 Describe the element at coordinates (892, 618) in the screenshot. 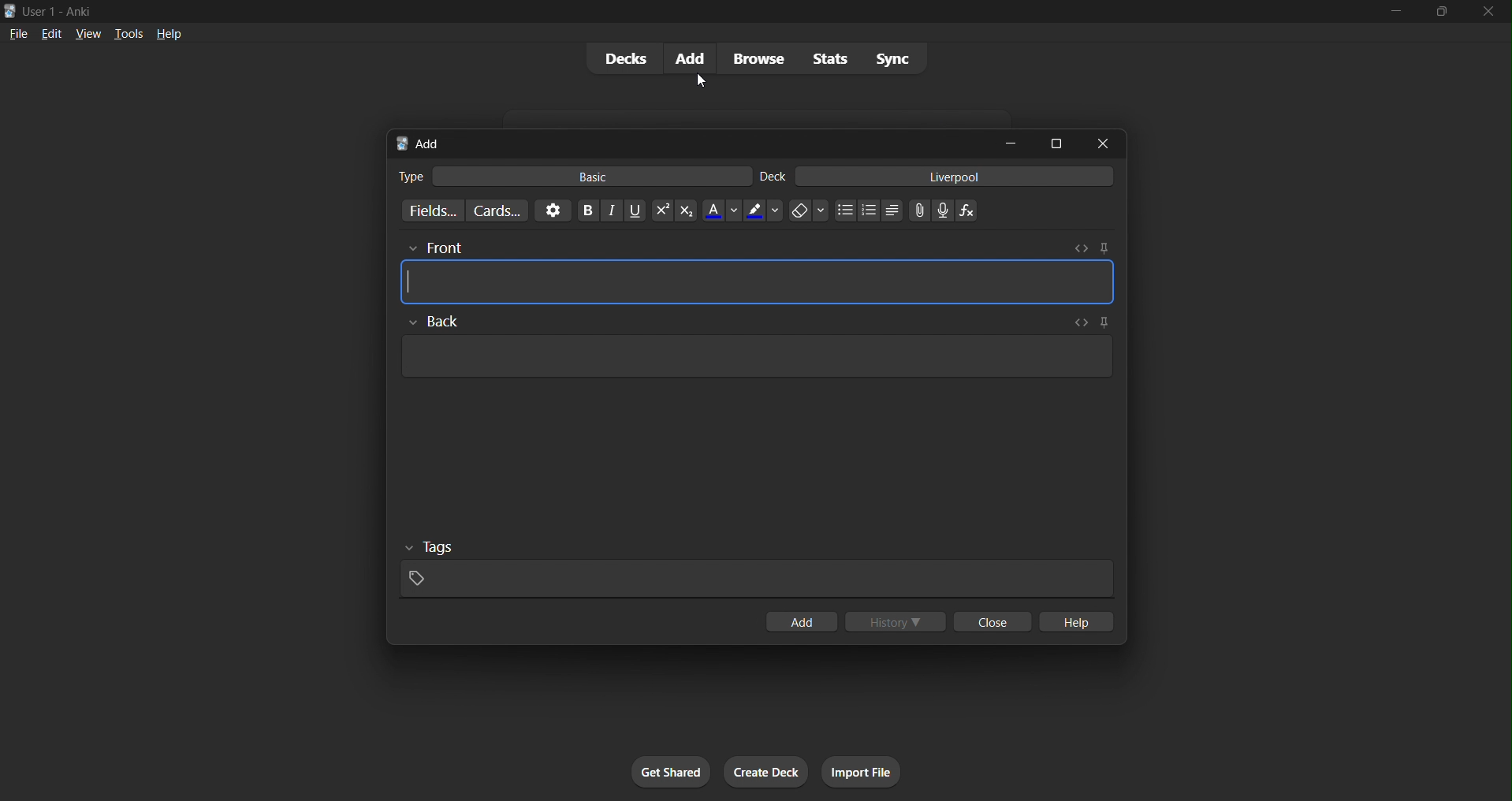

I see `history` at that location.